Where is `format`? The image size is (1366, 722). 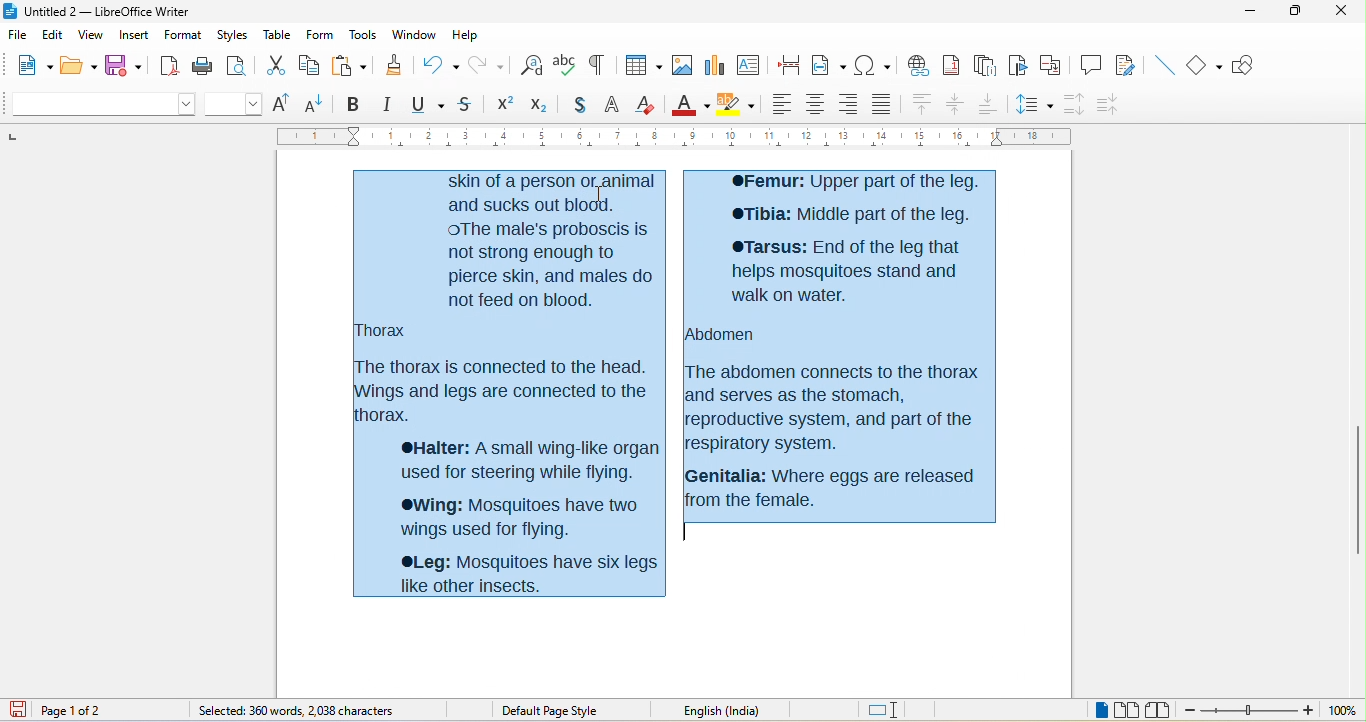
format is located at coordinates (182, 35).